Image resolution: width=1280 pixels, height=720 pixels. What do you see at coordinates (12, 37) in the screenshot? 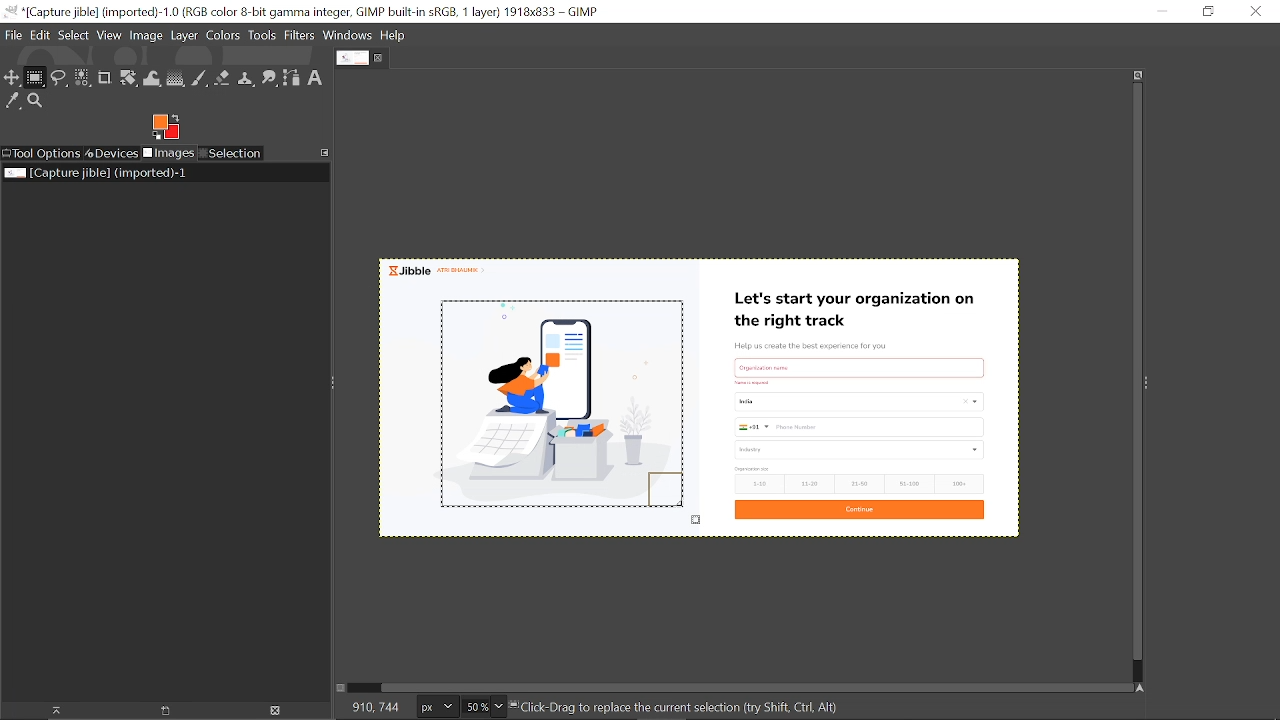
I see `File` at bounding box center [12, 37].